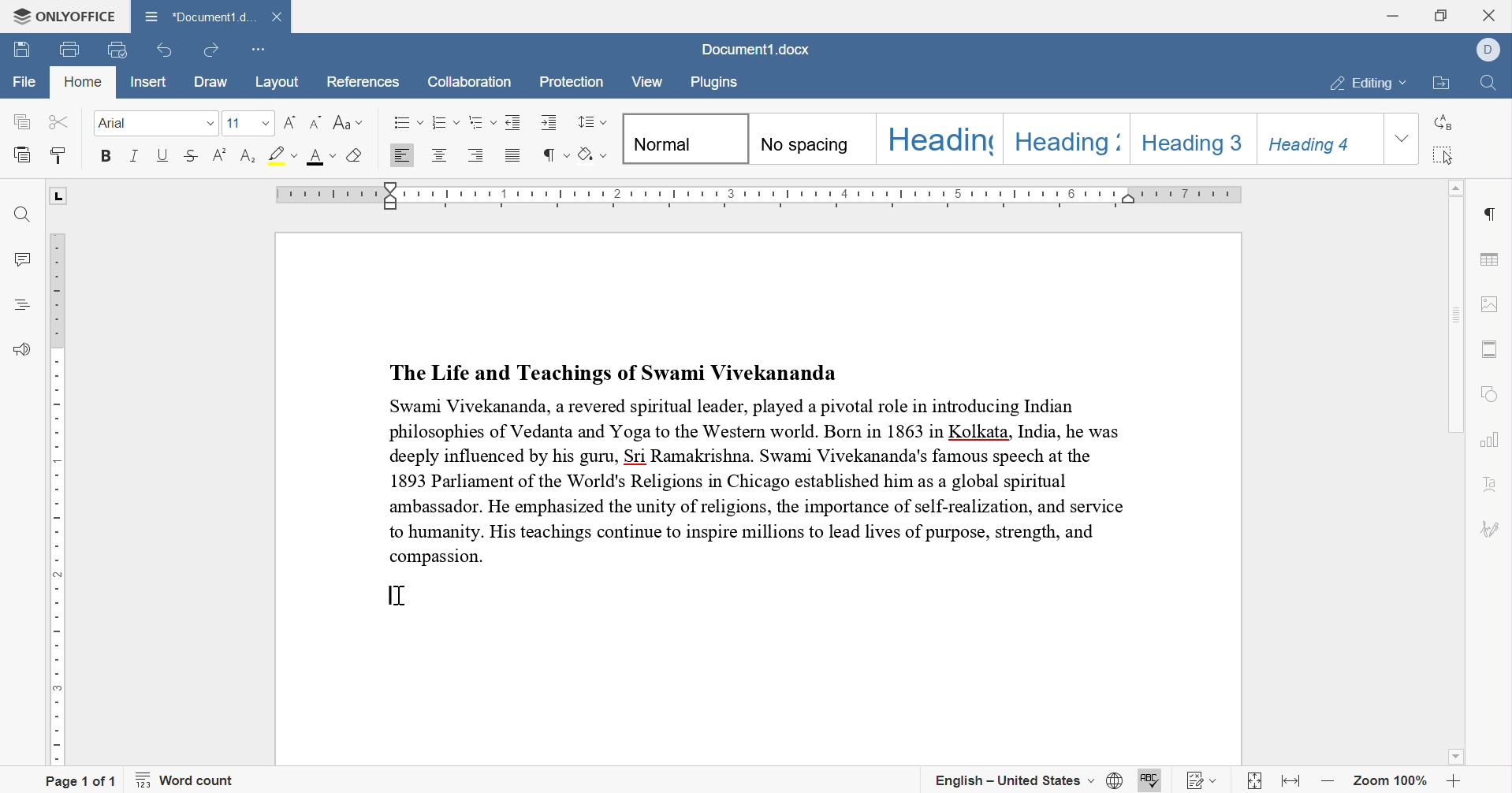 This screenshot has width=1512, height=793. Describe the element at coordinates (400, 156) in the screenshot. I see `align left` at that location.